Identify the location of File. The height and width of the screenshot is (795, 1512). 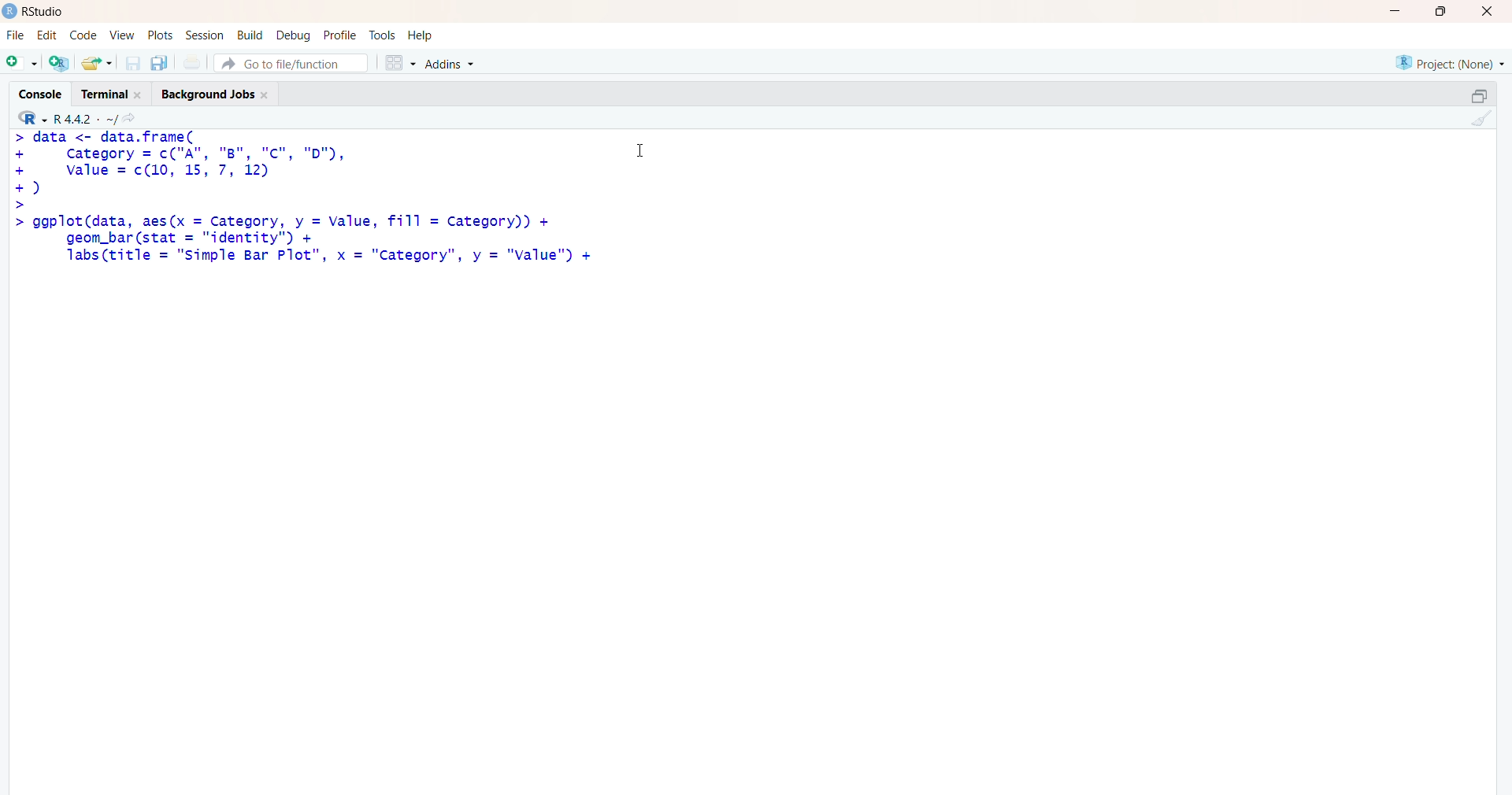
(16, 35).